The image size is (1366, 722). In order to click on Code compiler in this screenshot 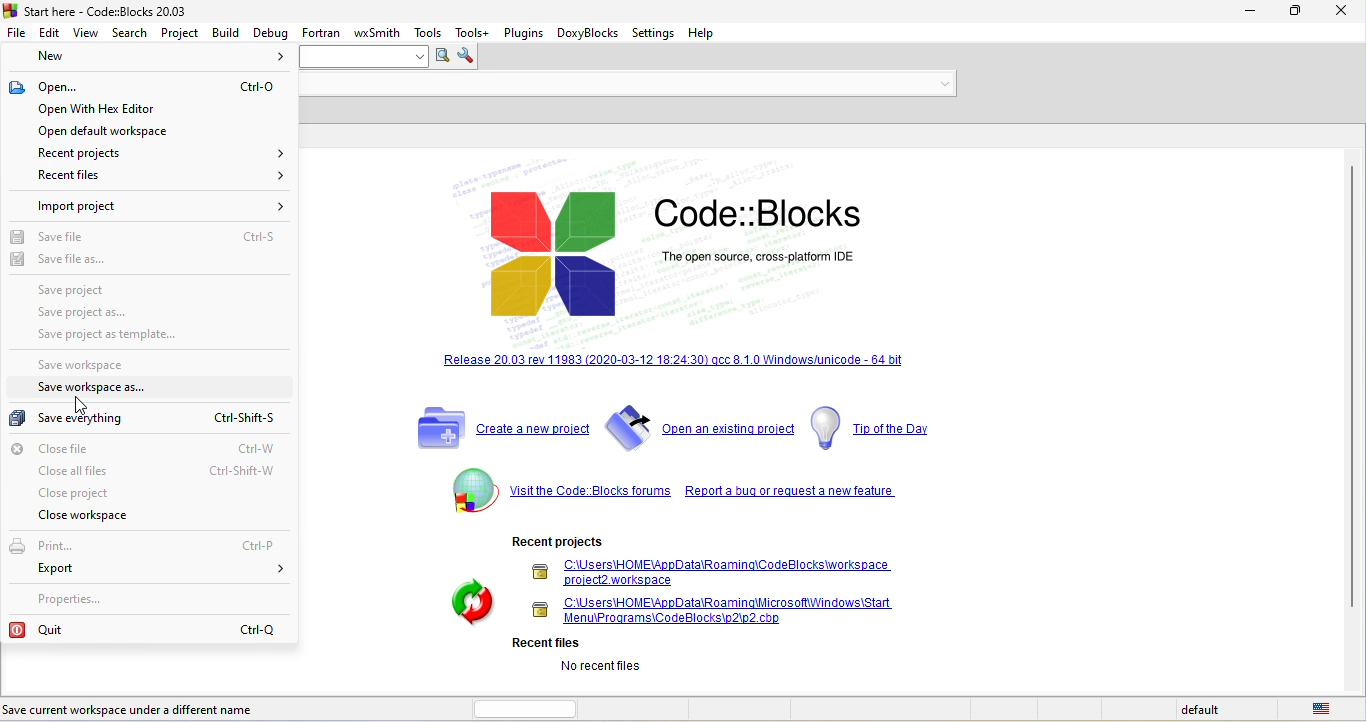, I will do `click(628, 85)`.